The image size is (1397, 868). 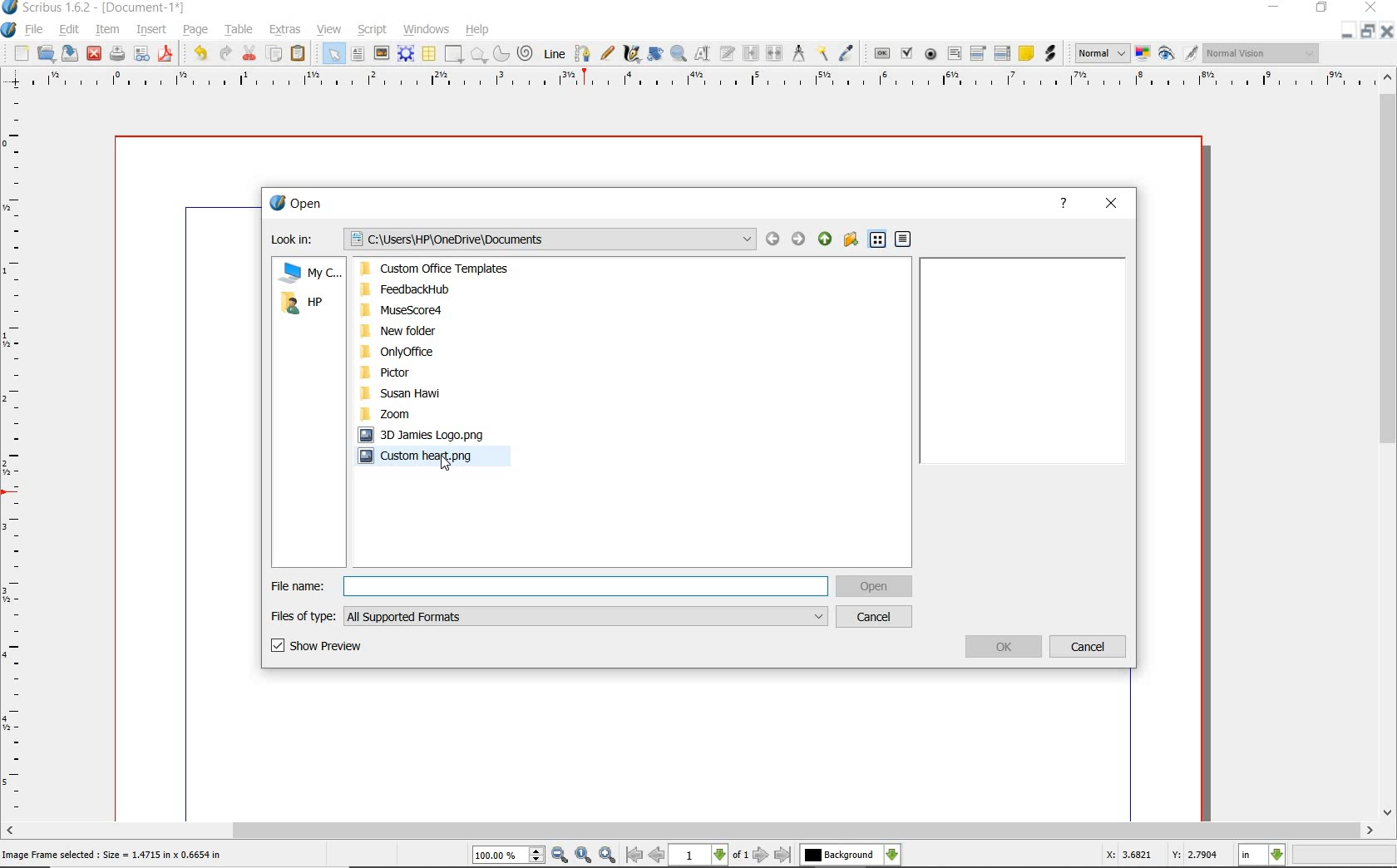 What do you see at coordinates (225, 52) in the screenshot?
I see `redo` at bounding box center [225, 52].